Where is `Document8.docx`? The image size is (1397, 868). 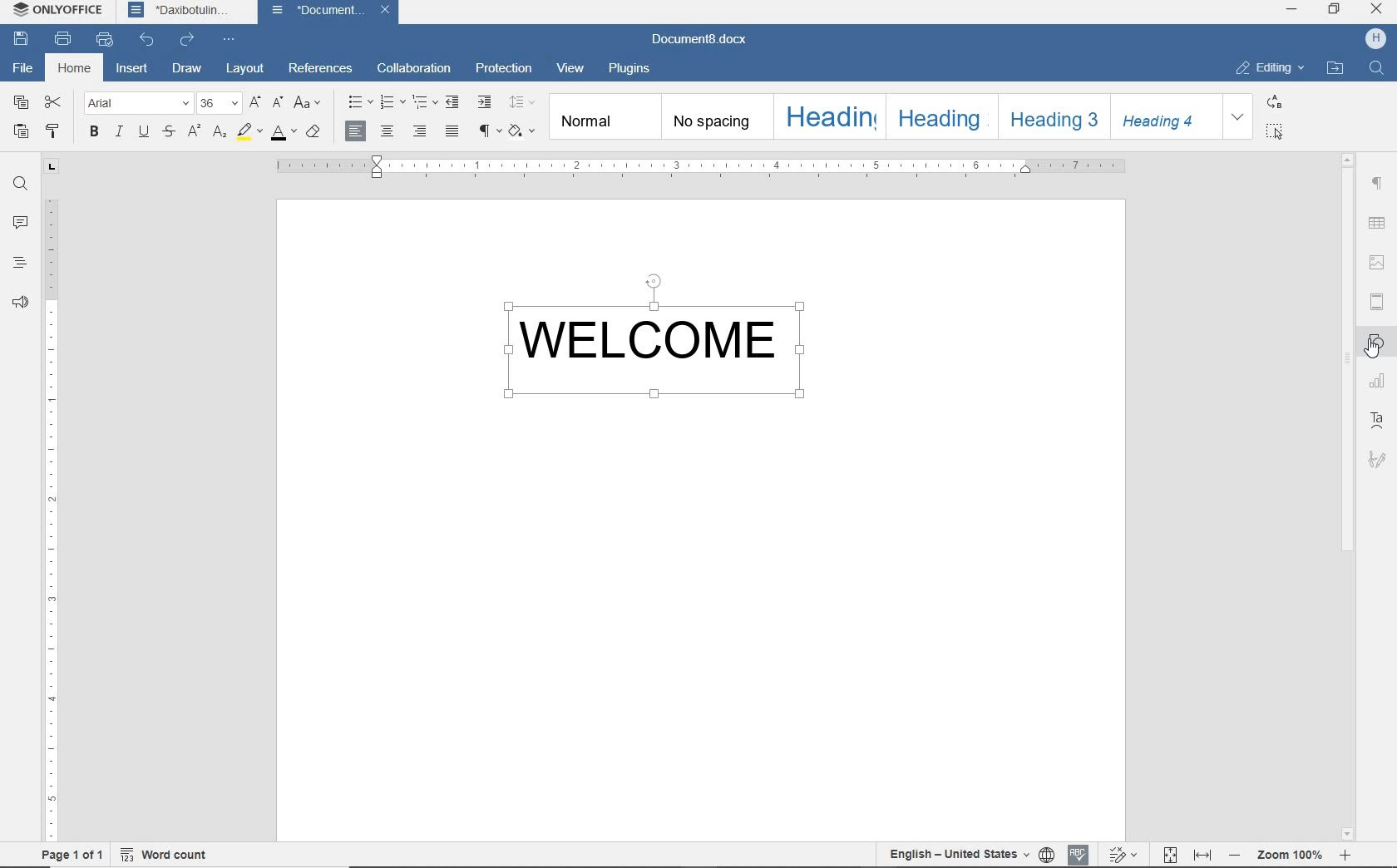
Document8.docx is located at coordinates (697, 40).